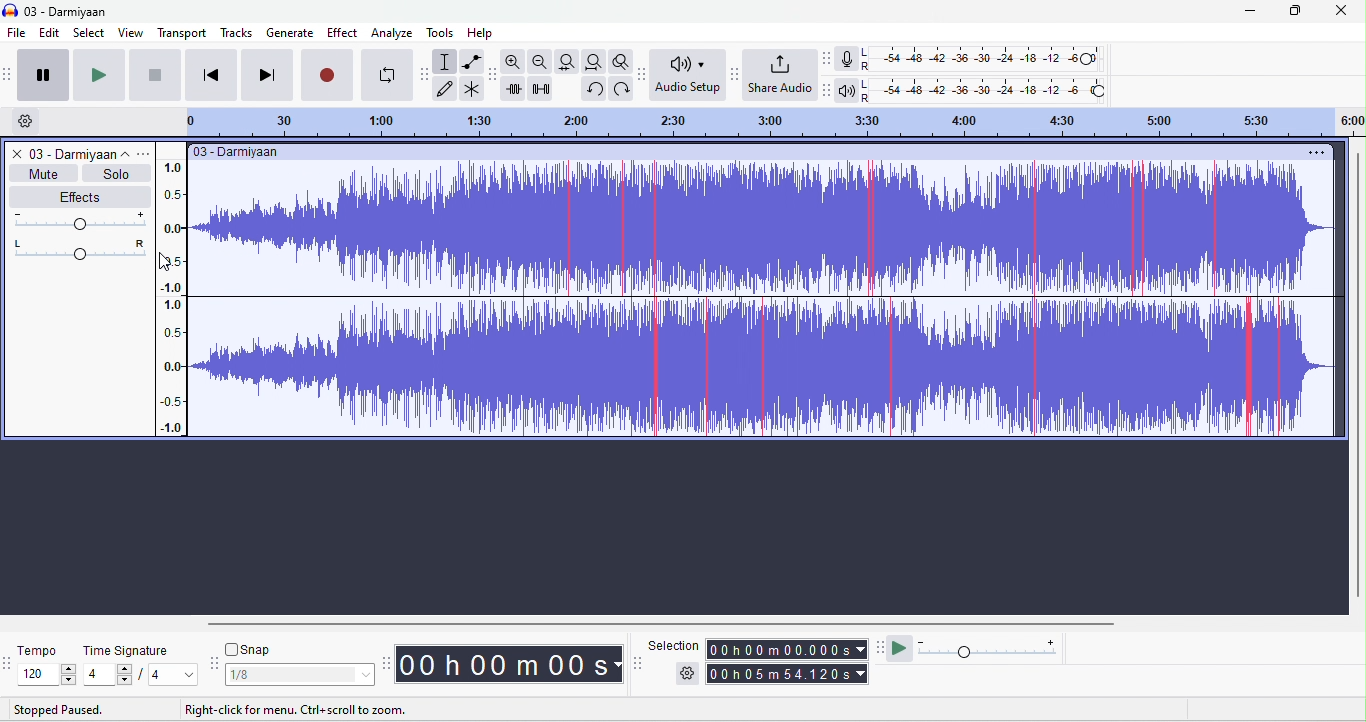 Image resolution: width=1366 pixels, height=722 pixels. What do you see at coordinates (1357, 379) in the screenshot?
I see `vertical scroll bar` at bounding box center [1357, 379].